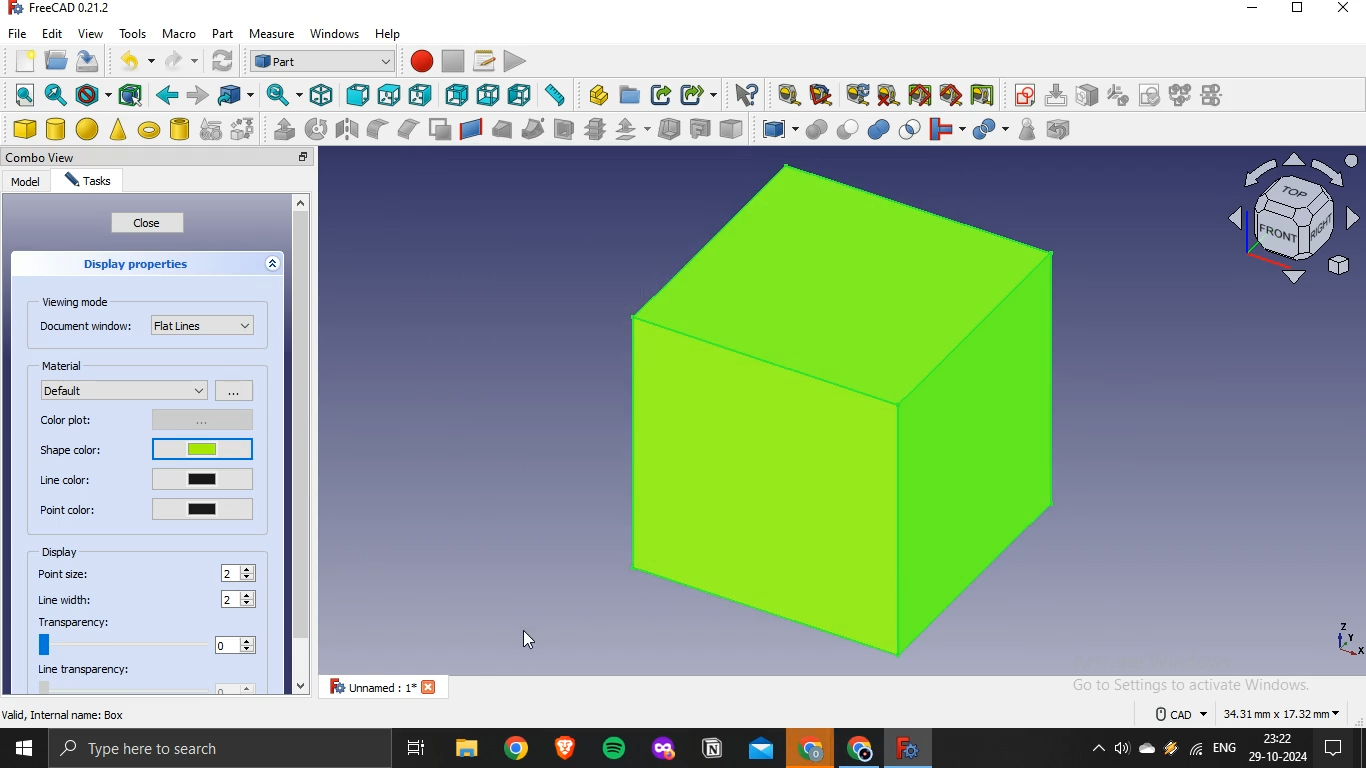  What do you see at coordinates (57, 129) in the screenshot?
I see `cylinder` at bounding box center [57, 129].